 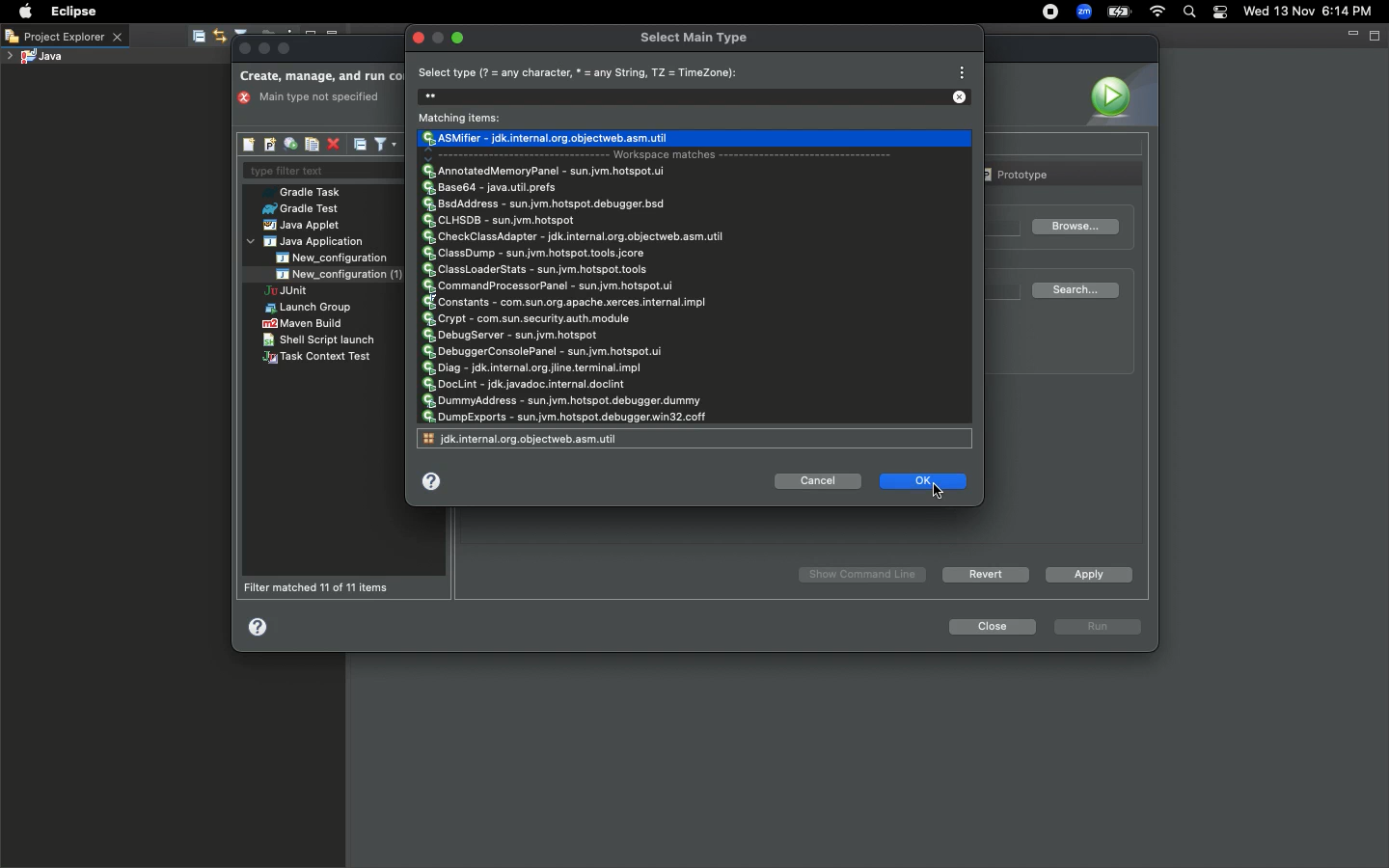 What do you see at coordinates (1221, 13) in the screenshot?
I see `Notification` at bounding box center [1221, 13].